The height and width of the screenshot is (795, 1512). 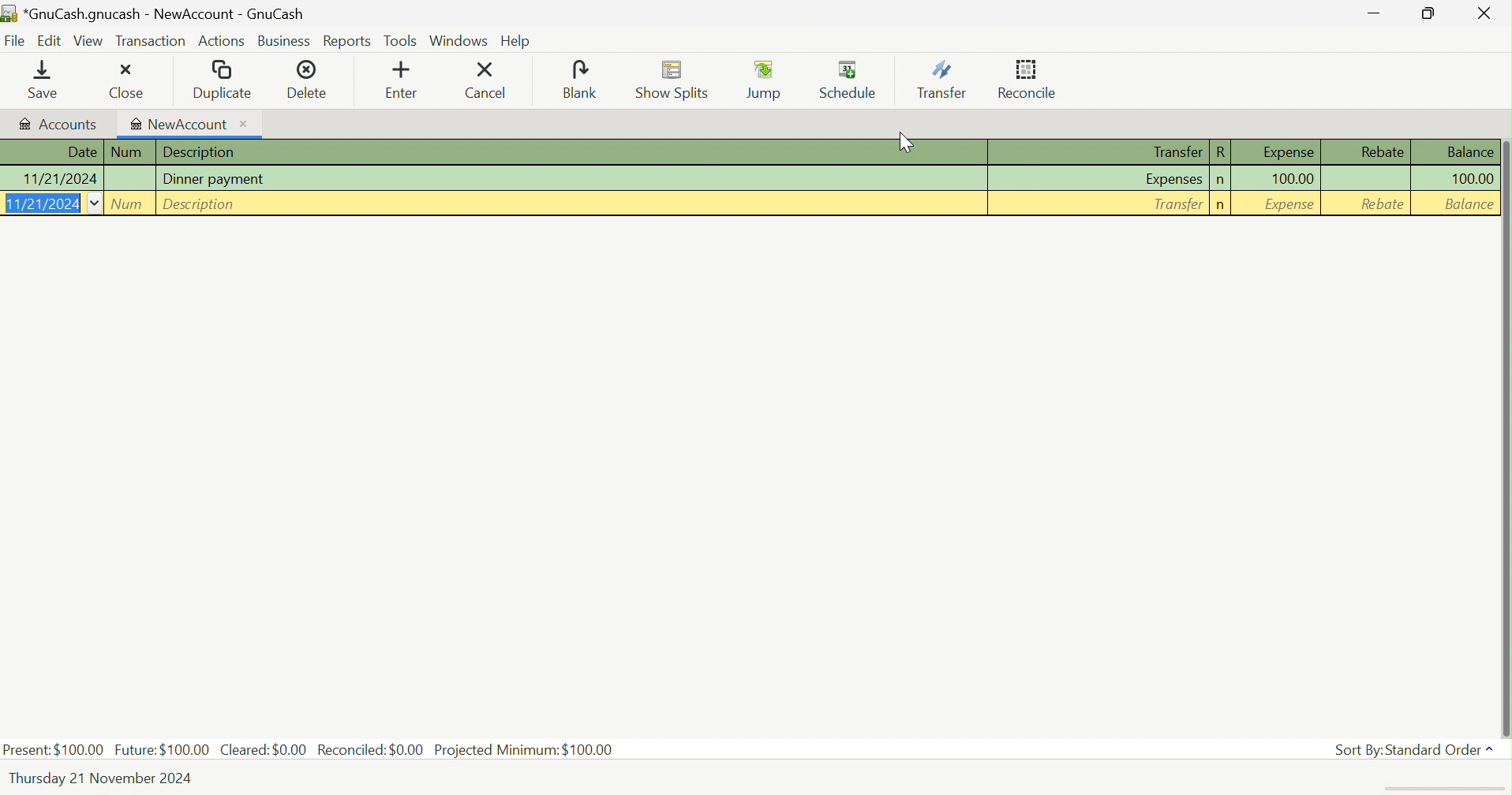 What do you see at coordinates (1221, 153) in the screenshot?
I see `R` at bounding box center [1221, 153].